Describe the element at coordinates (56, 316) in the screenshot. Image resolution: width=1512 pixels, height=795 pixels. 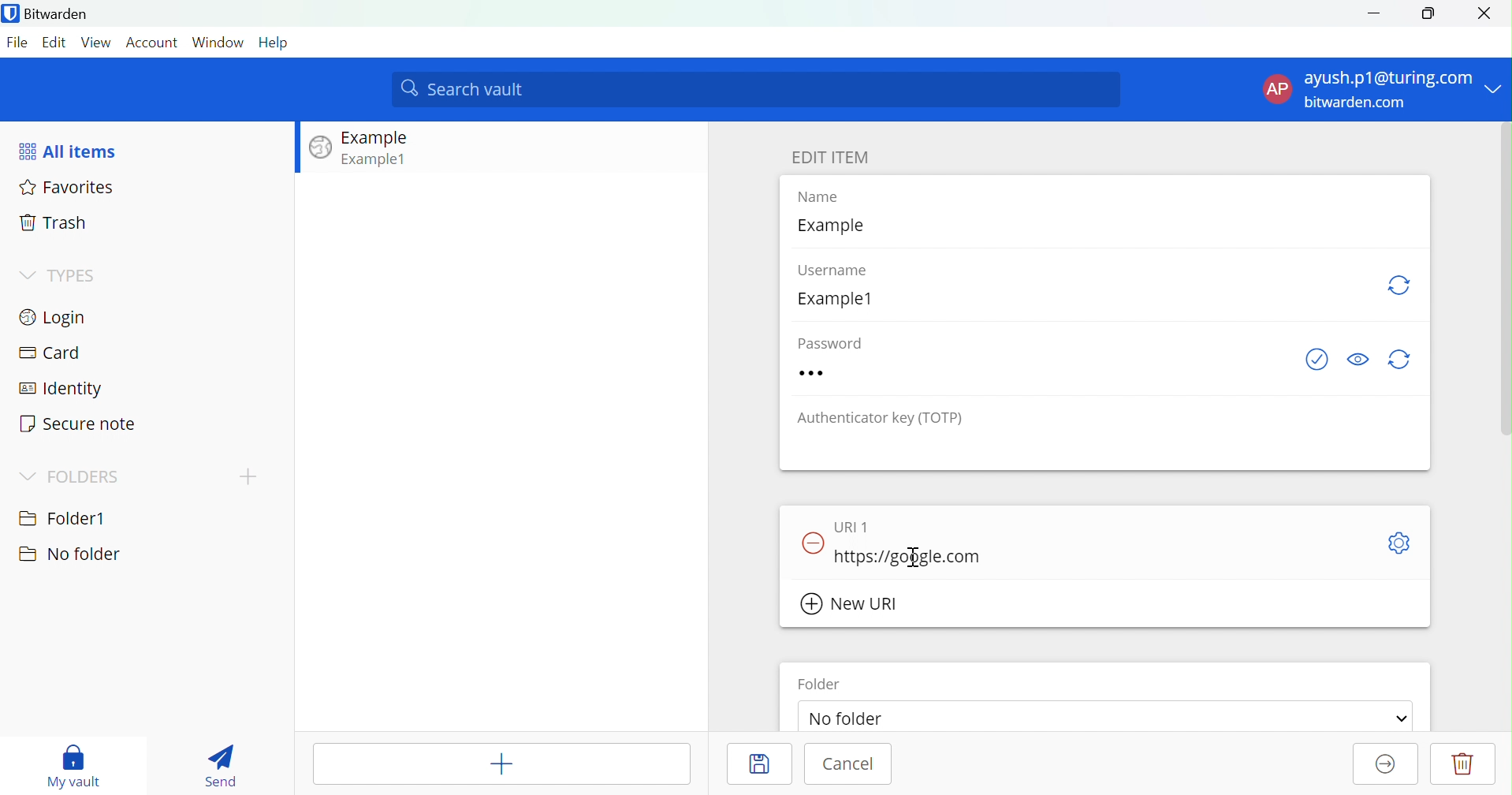
I see `Login` at that location.